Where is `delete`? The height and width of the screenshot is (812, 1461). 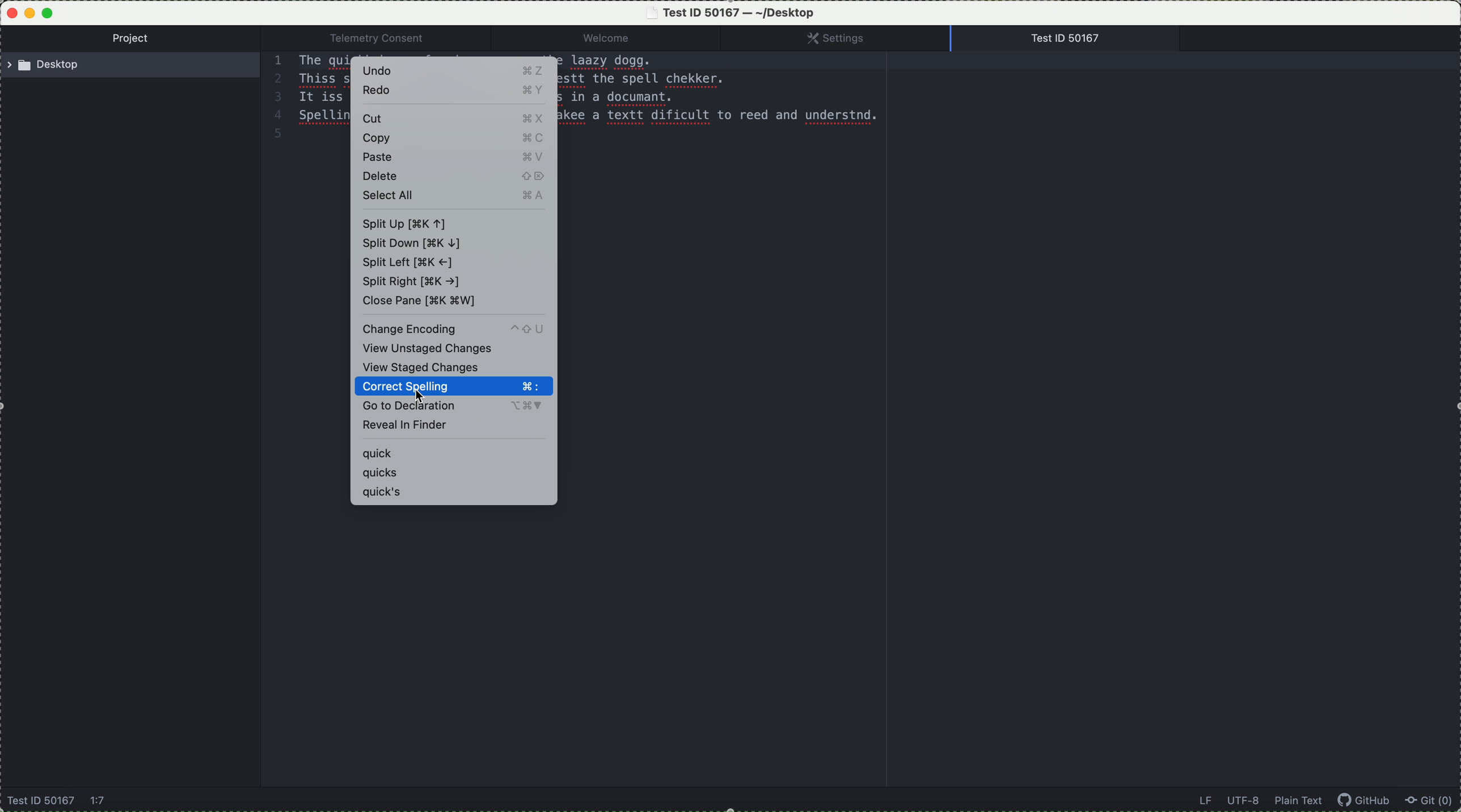
delete is located at coordinates (454, 177).